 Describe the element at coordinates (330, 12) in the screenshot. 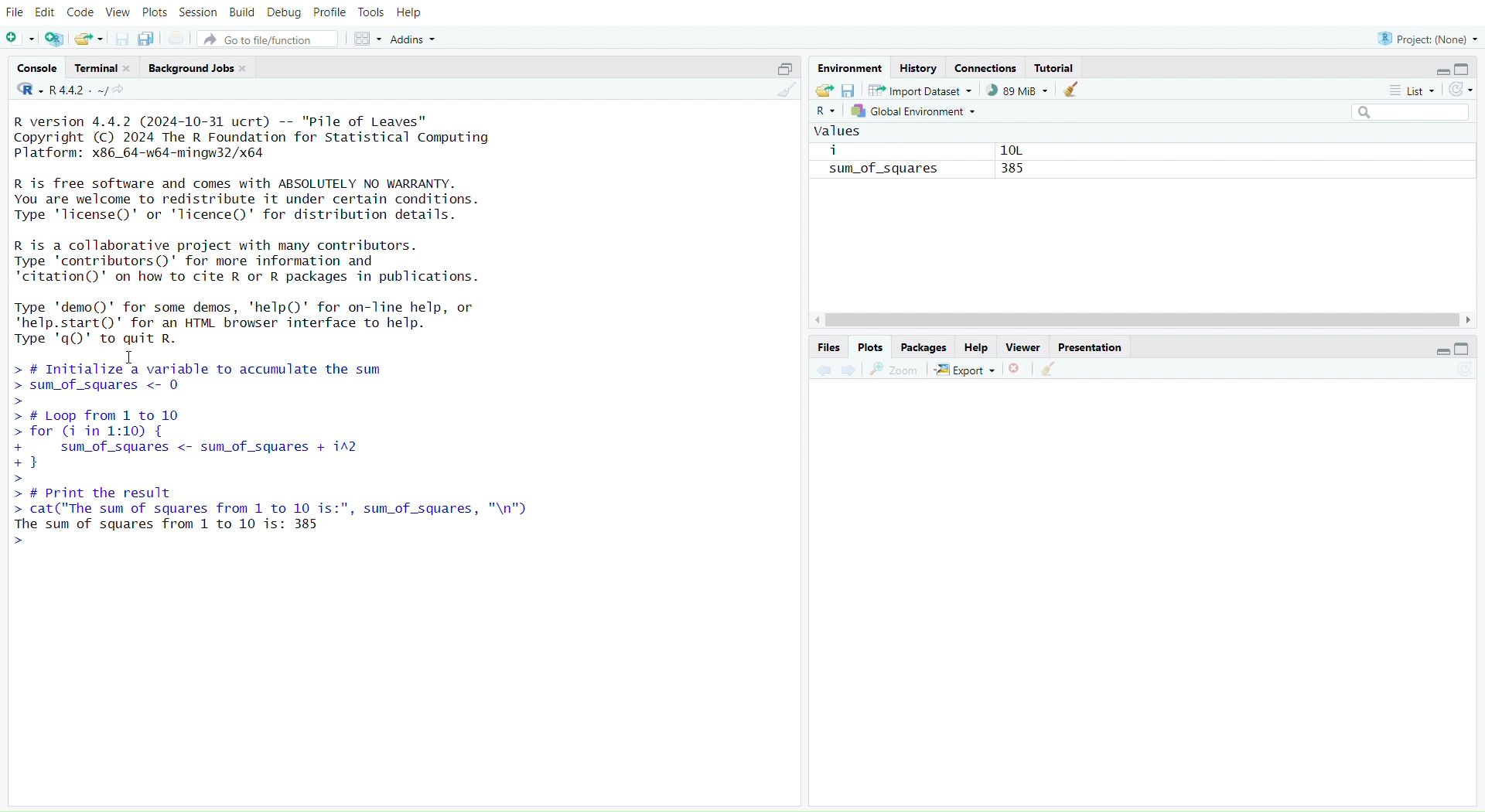

I see `profile` at that location.